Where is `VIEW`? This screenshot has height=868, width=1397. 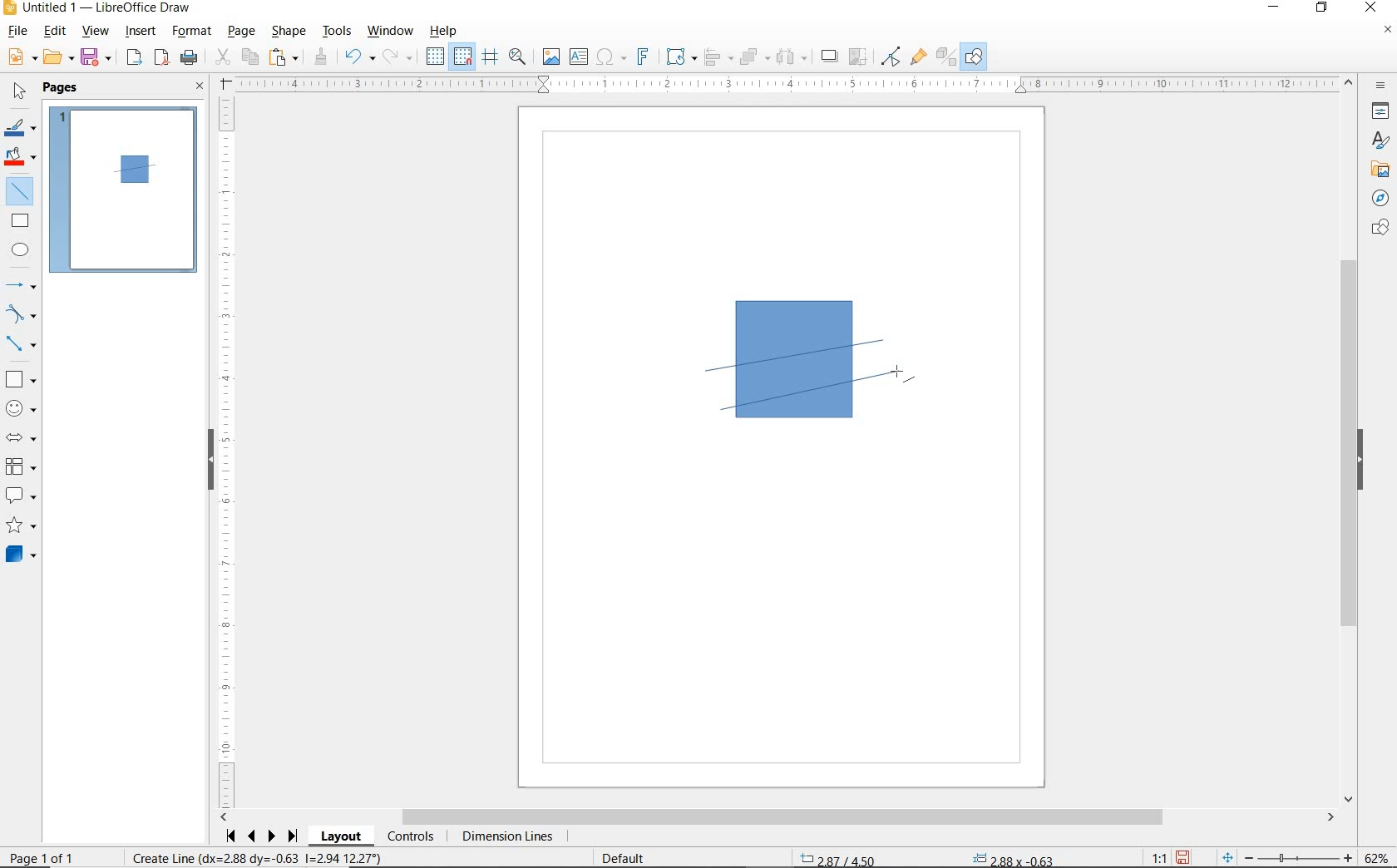 VIEW is located at coordinates (95, 31).